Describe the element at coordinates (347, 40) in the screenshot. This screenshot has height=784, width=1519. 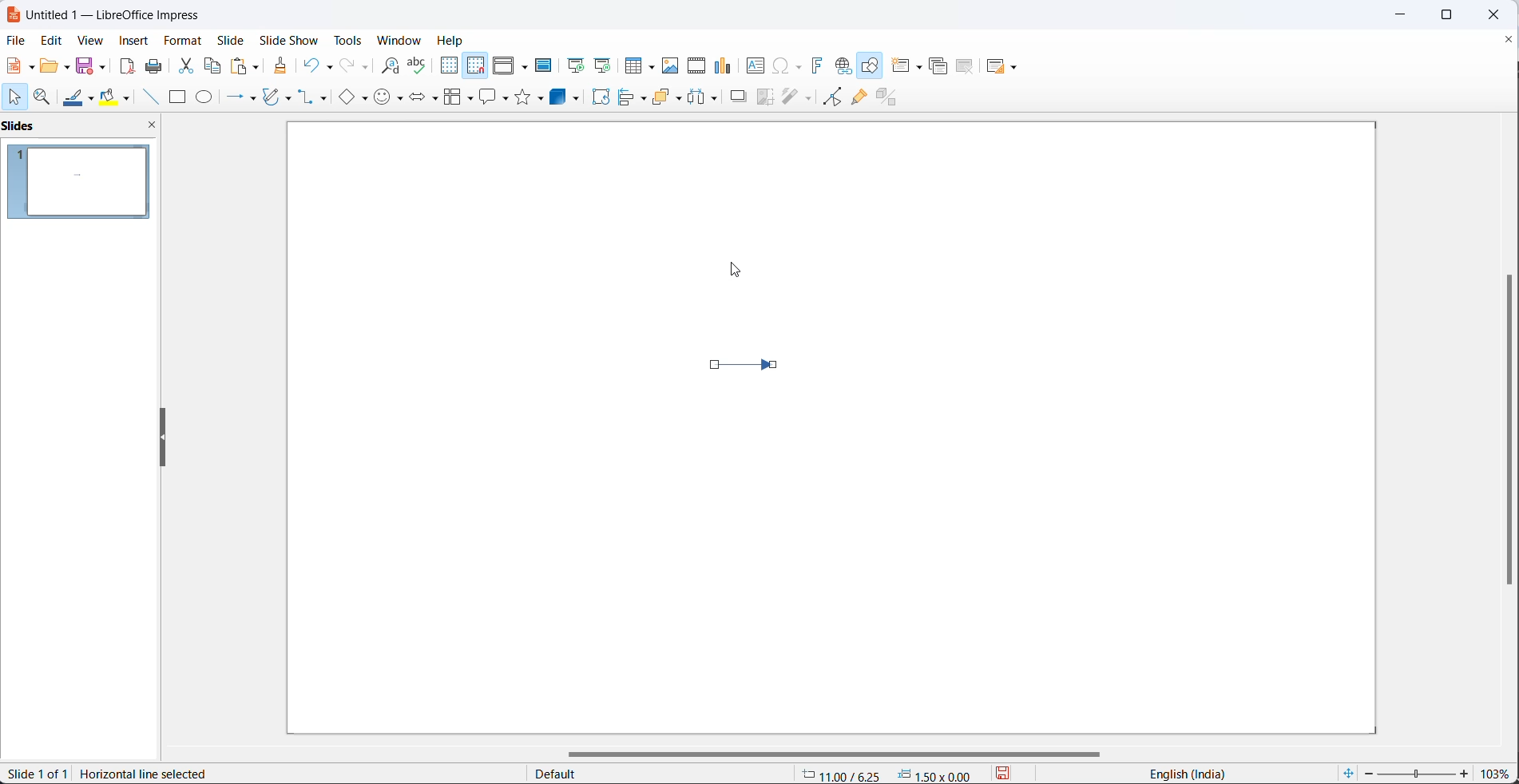
I see `tools` at that location.